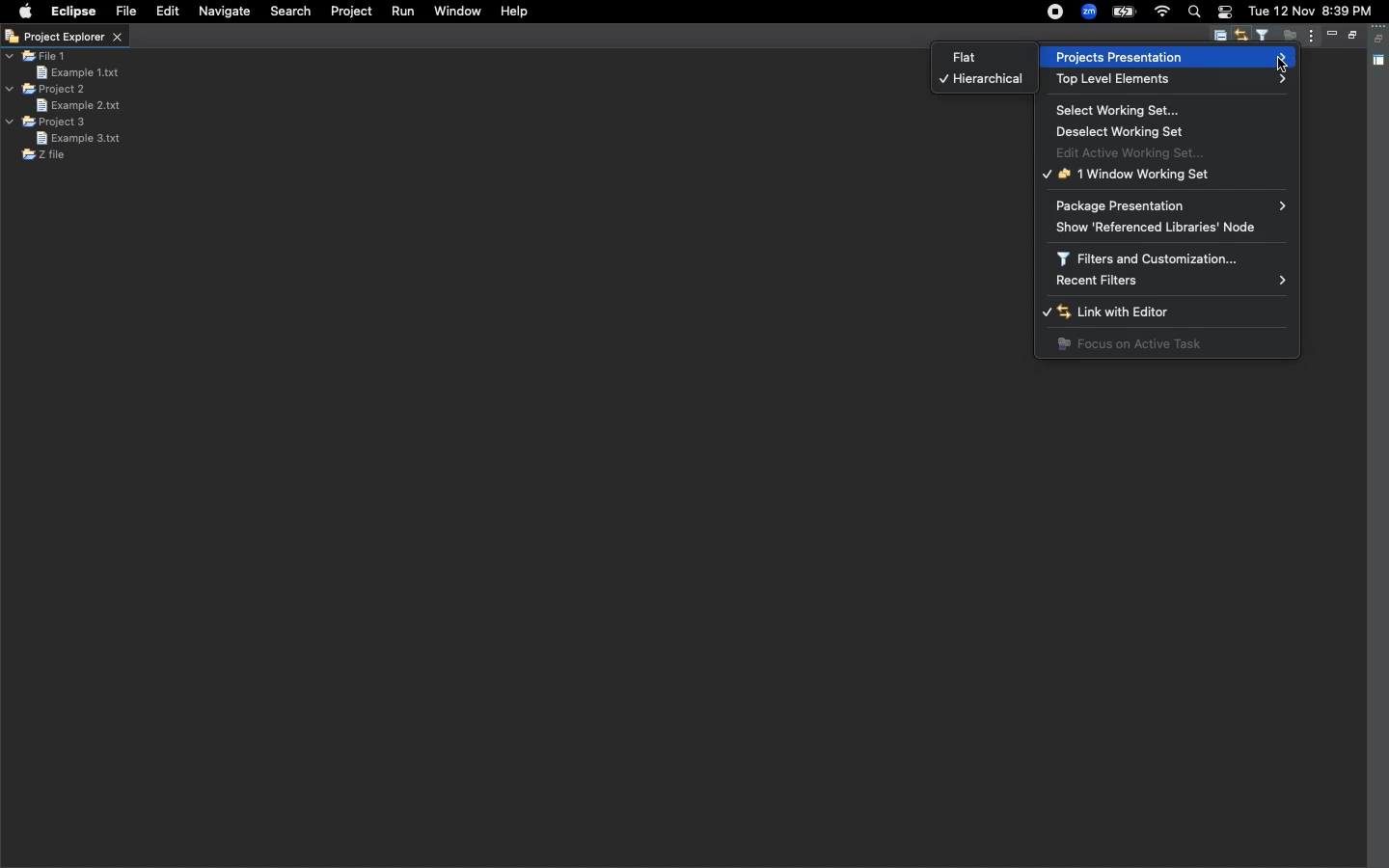 This screenshot has width=1389, height=868. What do you see at coordinates (456, 14) in the screenshot?
I see `Window` at bounding box center [456, 14].